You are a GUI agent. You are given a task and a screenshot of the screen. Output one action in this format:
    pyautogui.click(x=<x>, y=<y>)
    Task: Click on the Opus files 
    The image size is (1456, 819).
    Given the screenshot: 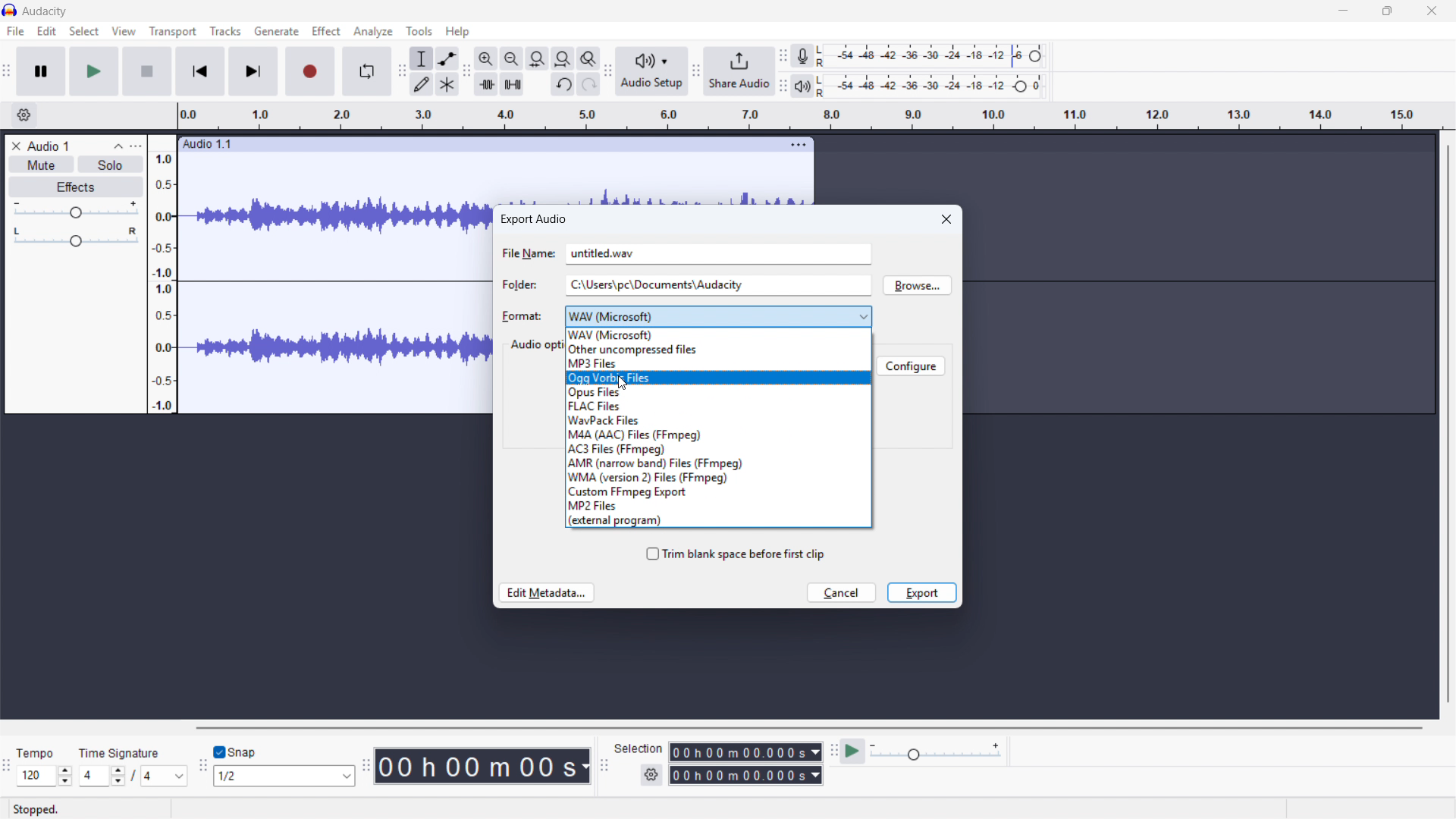 What is the action you would take?
    pyautogui.click(x=718, y=391)
    